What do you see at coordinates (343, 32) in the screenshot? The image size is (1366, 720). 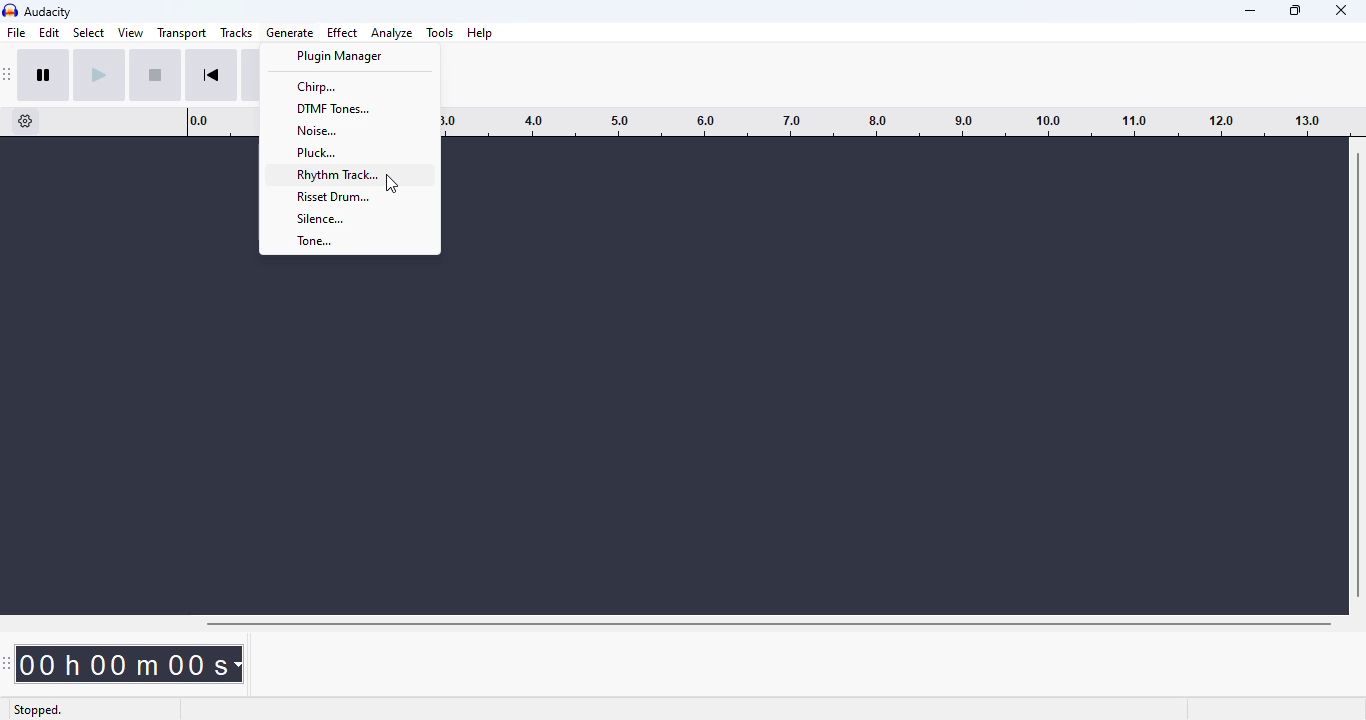 I see `effect` at bounding box center [343, 32].